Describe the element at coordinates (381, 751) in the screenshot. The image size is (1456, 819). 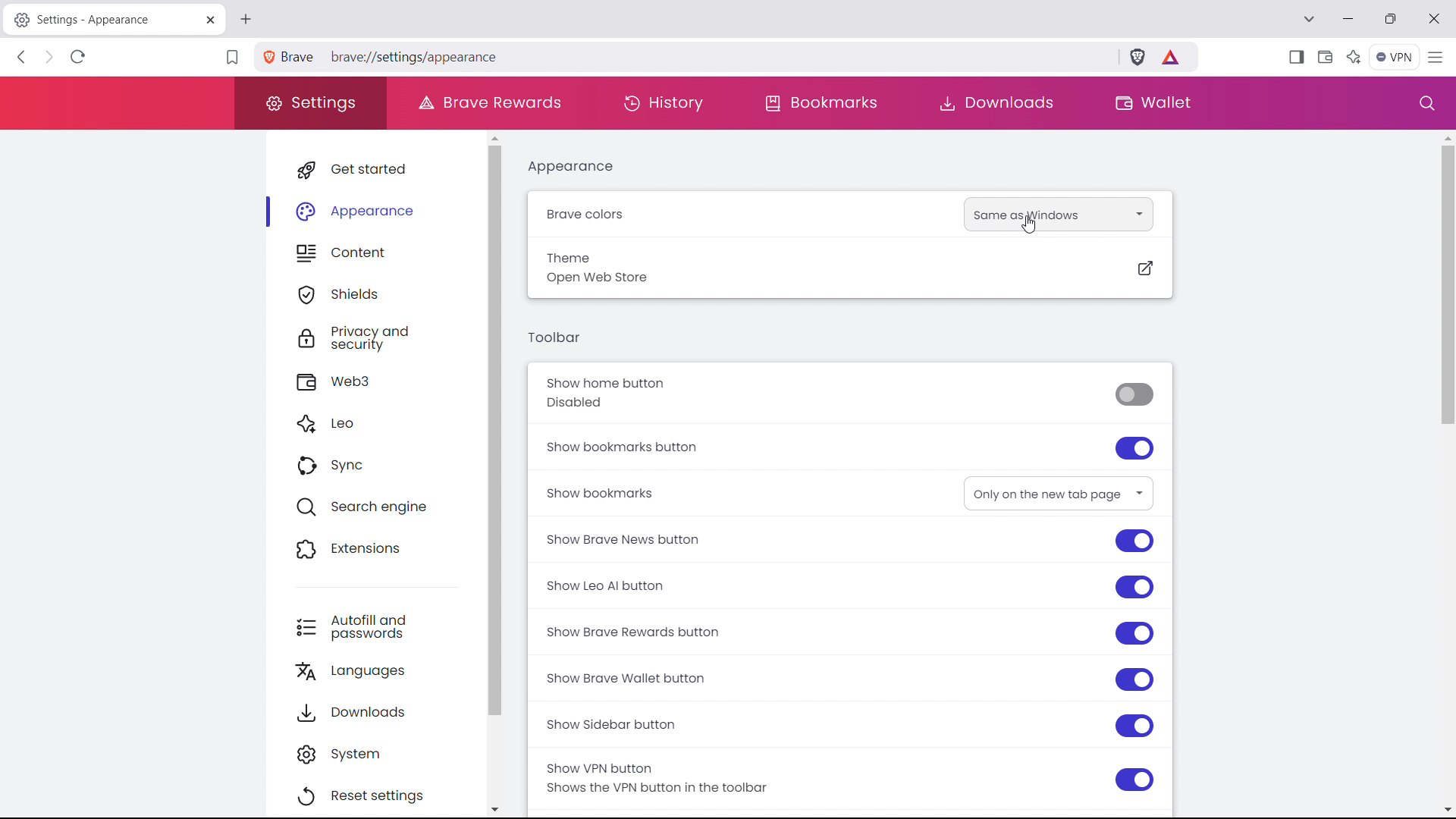
I see `system` at that location.